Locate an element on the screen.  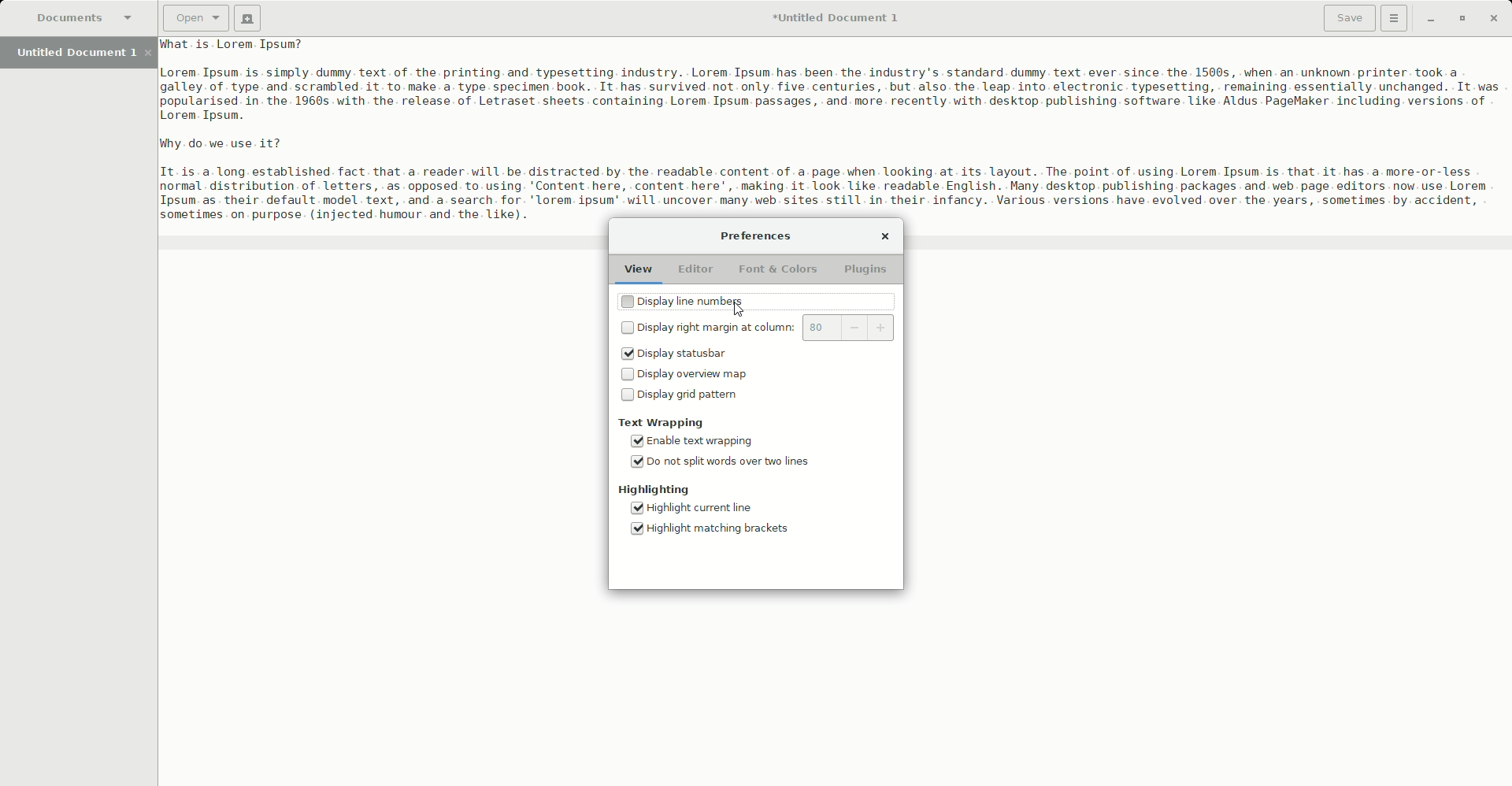
Editor is located at coordinates (697, 270).